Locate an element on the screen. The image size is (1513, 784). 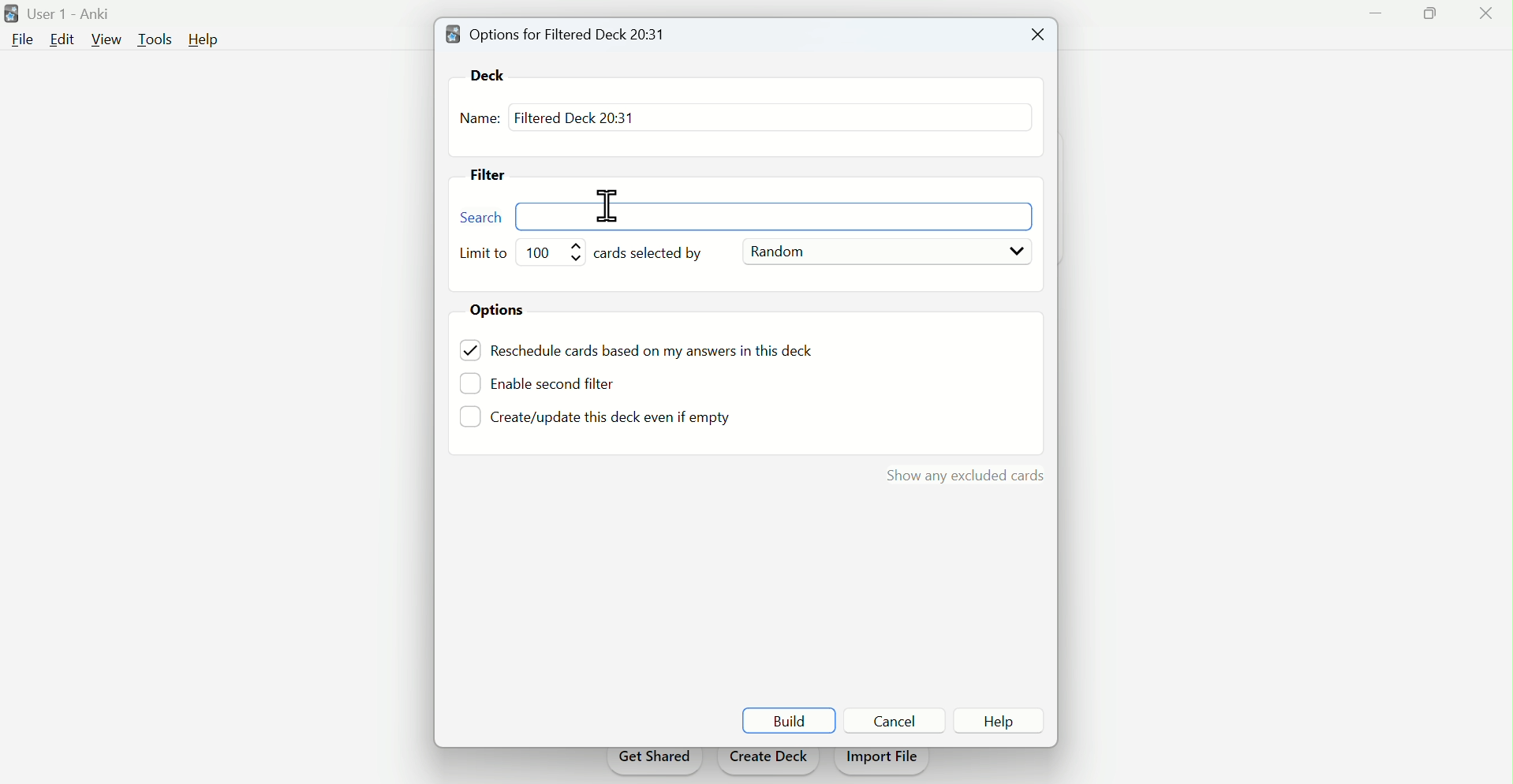
View is located at coordinates (107, 39).